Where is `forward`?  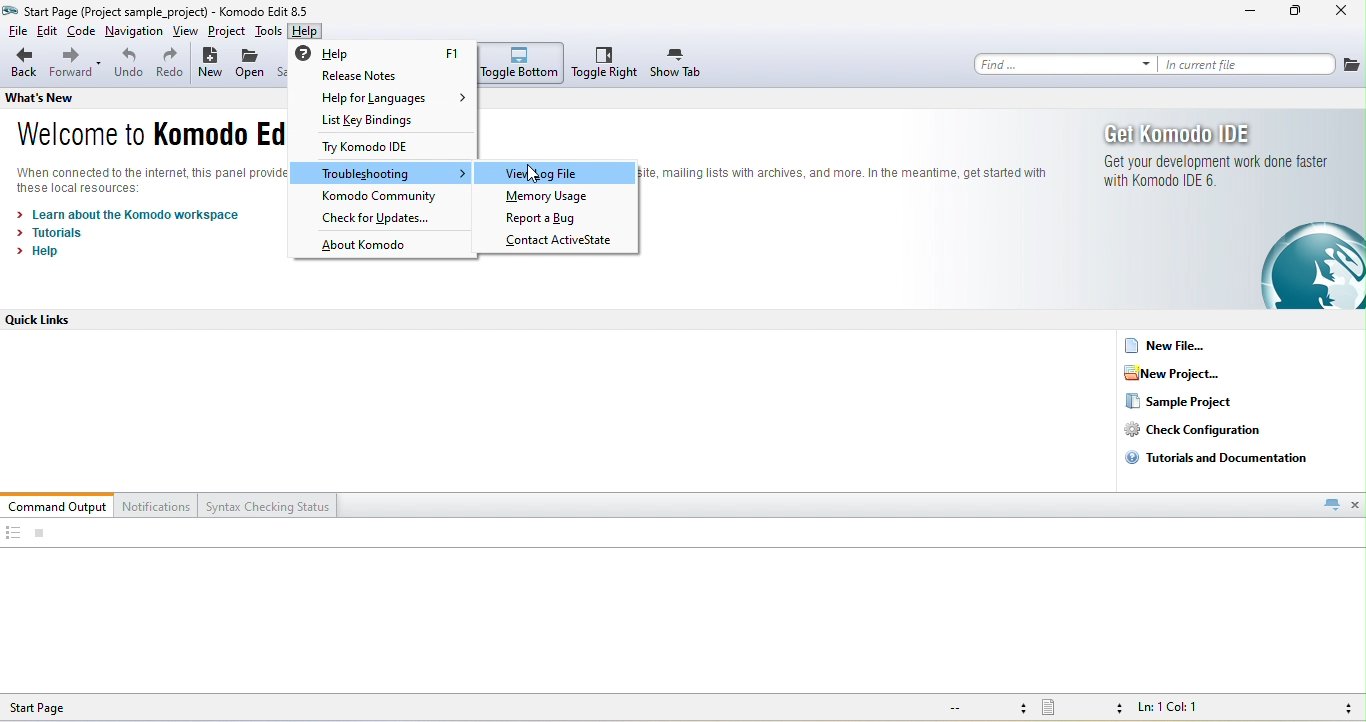 forward is located at coordinates (76, 65).